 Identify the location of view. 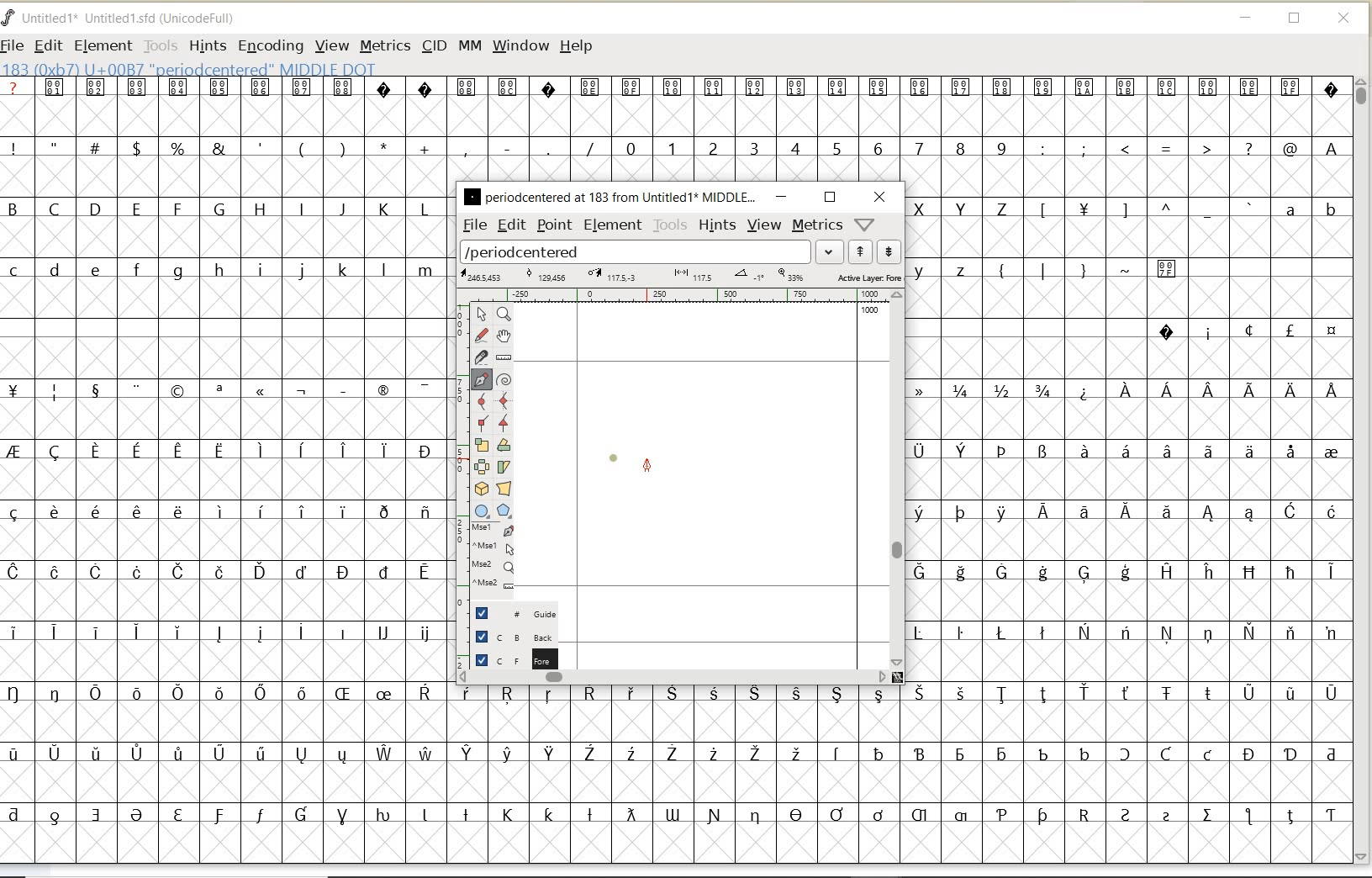
(765, 225).